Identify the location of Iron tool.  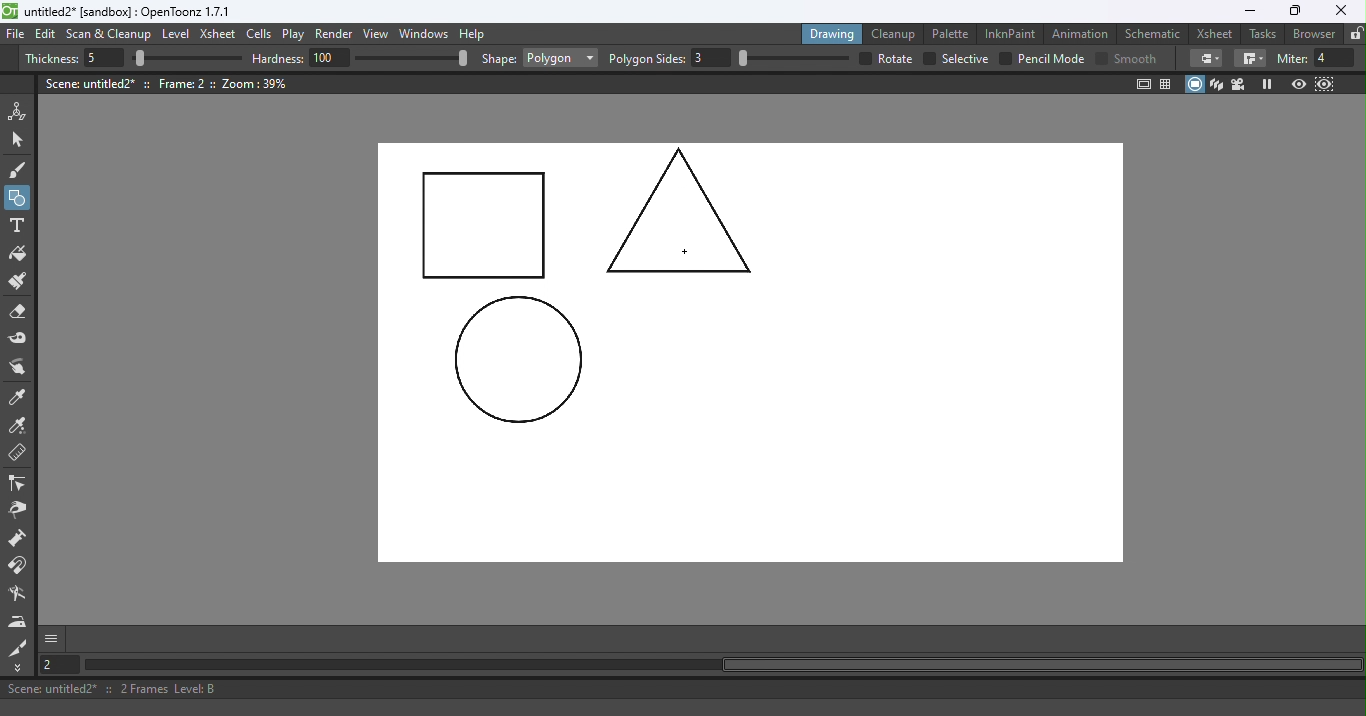
(20, 621).